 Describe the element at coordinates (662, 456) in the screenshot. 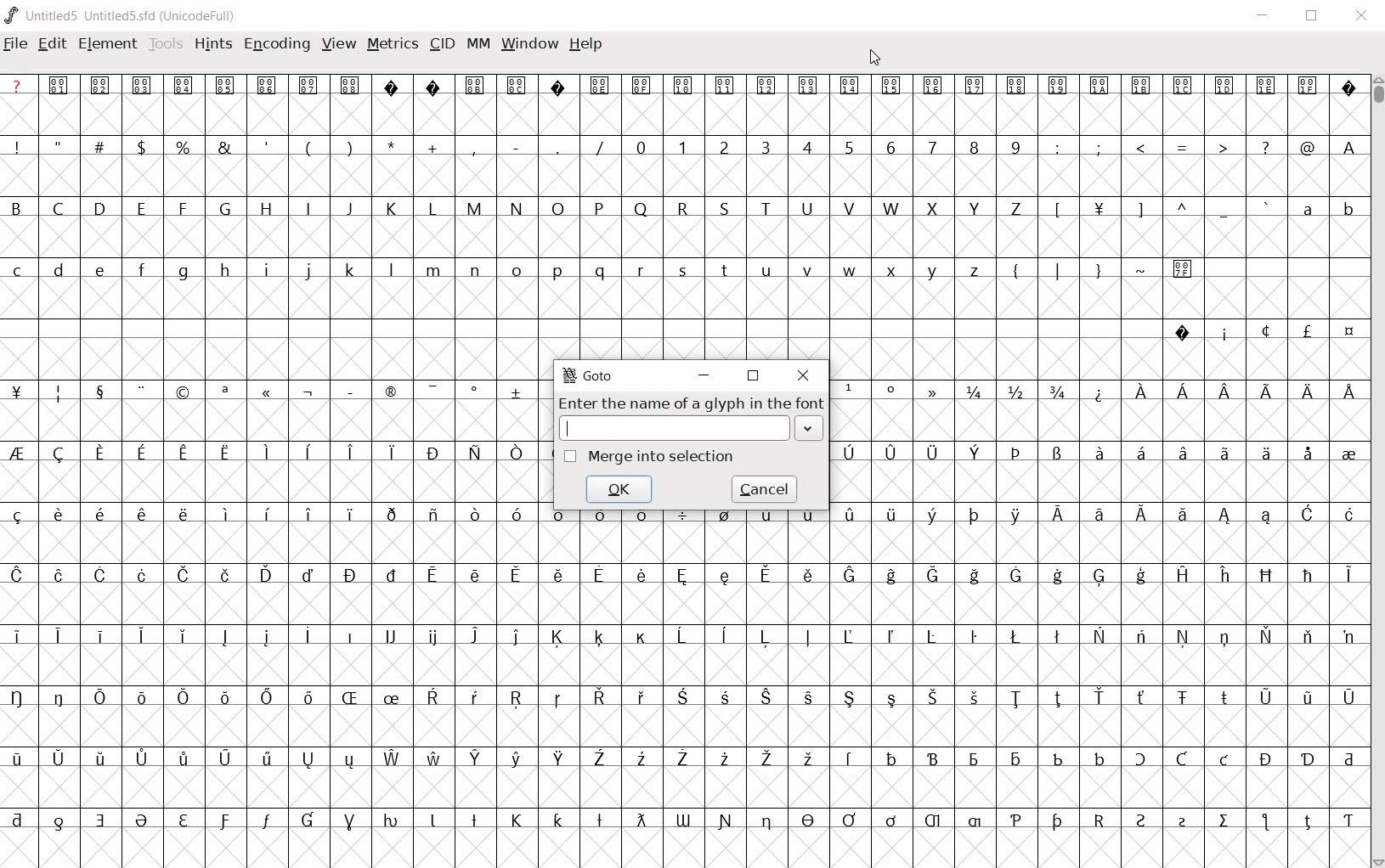

I see `Merge into selection` at that location.